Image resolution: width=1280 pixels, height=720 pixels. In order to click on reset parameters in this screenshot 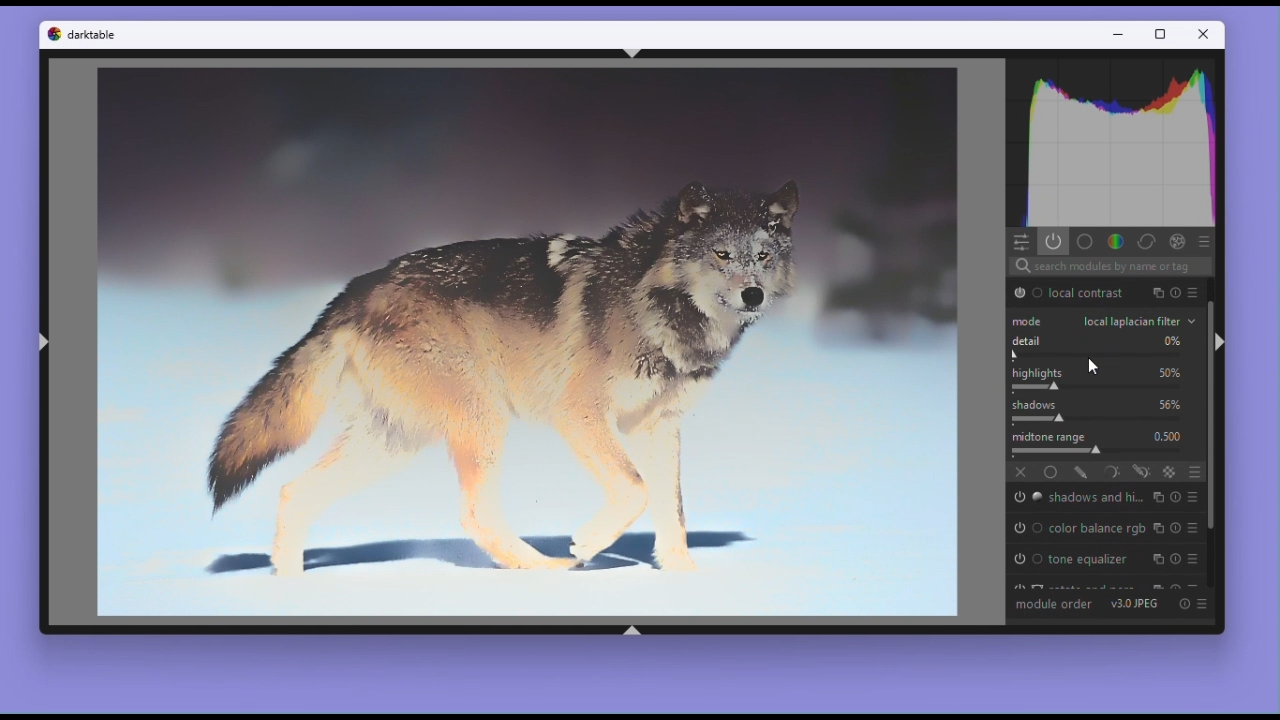, I will do `click(1176, 530)`.